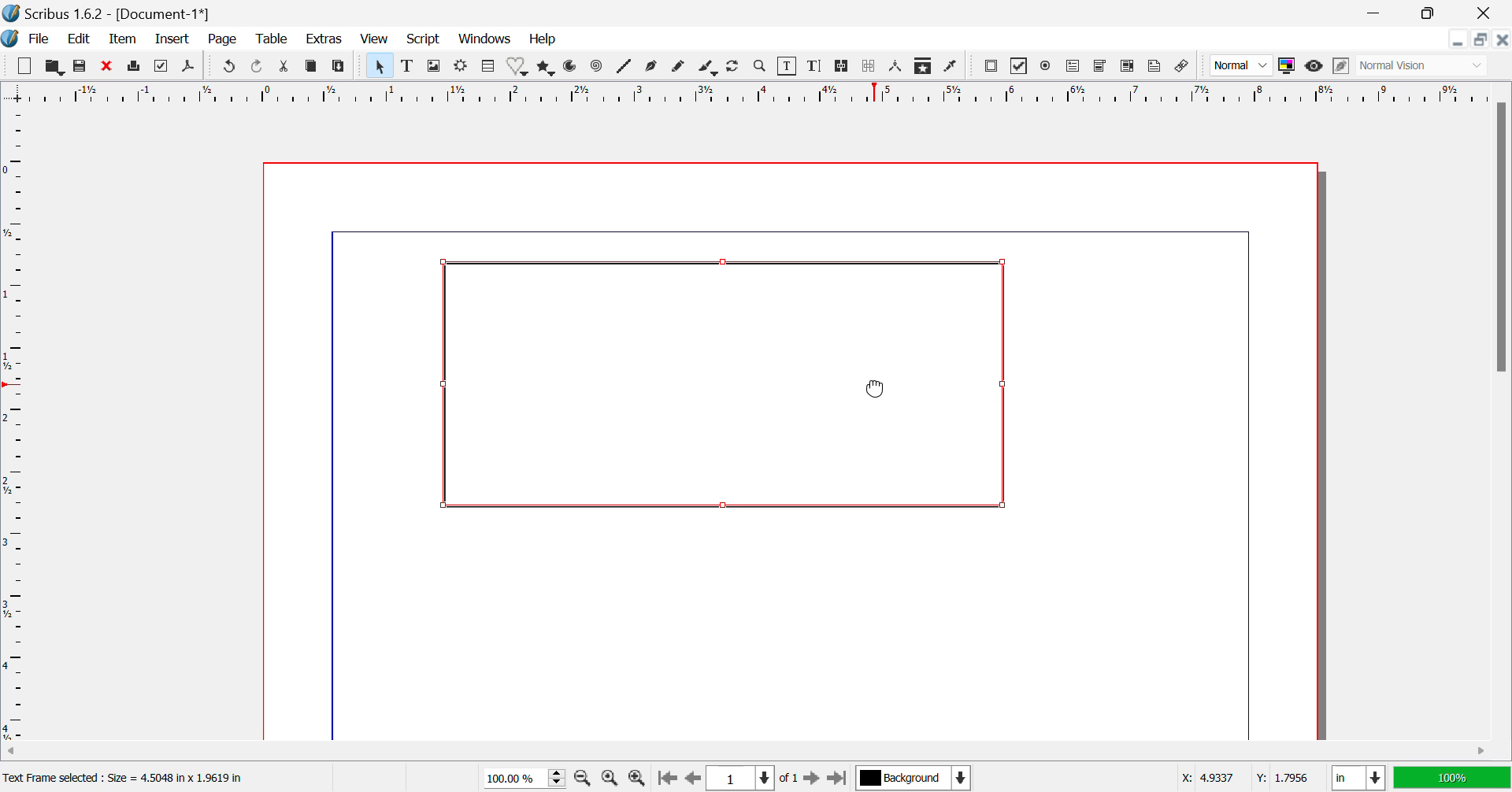 Image resolution: width=1512 pixels, height=792 pixels. Describe the element at coordinates (161, 68) in the screenshot. I see `Preflight Verifier` at that location.